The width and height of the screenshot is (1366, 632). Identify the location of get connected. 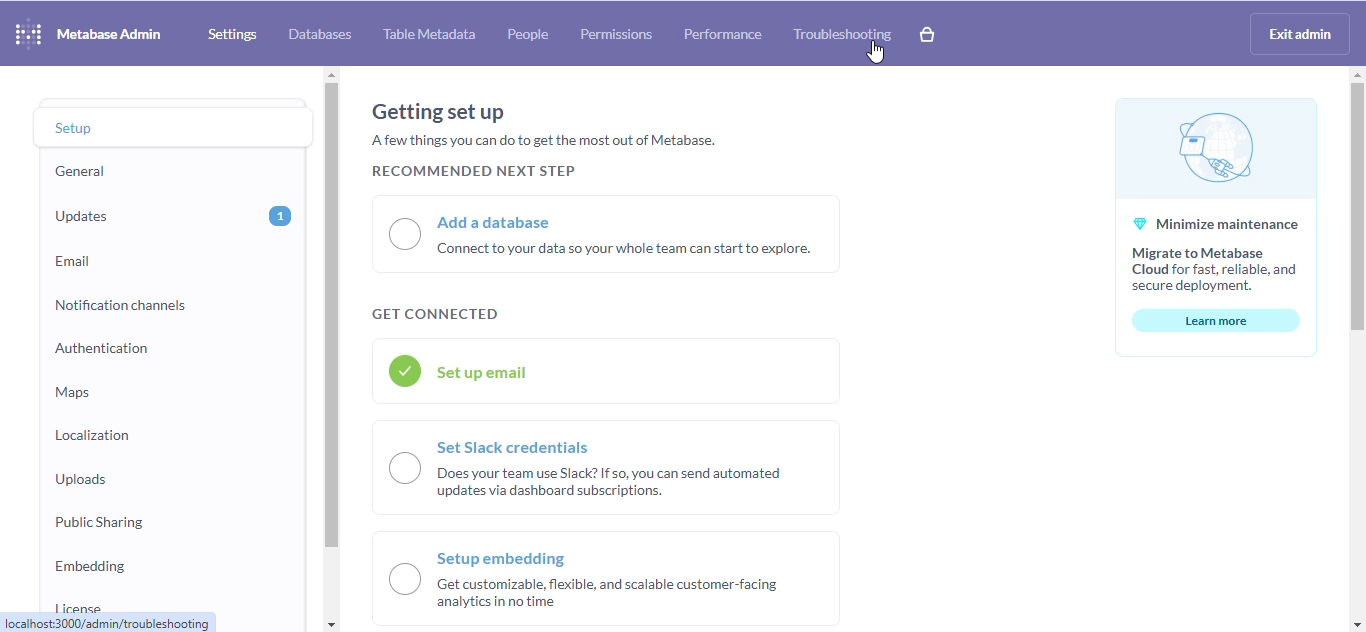
(434, 315).